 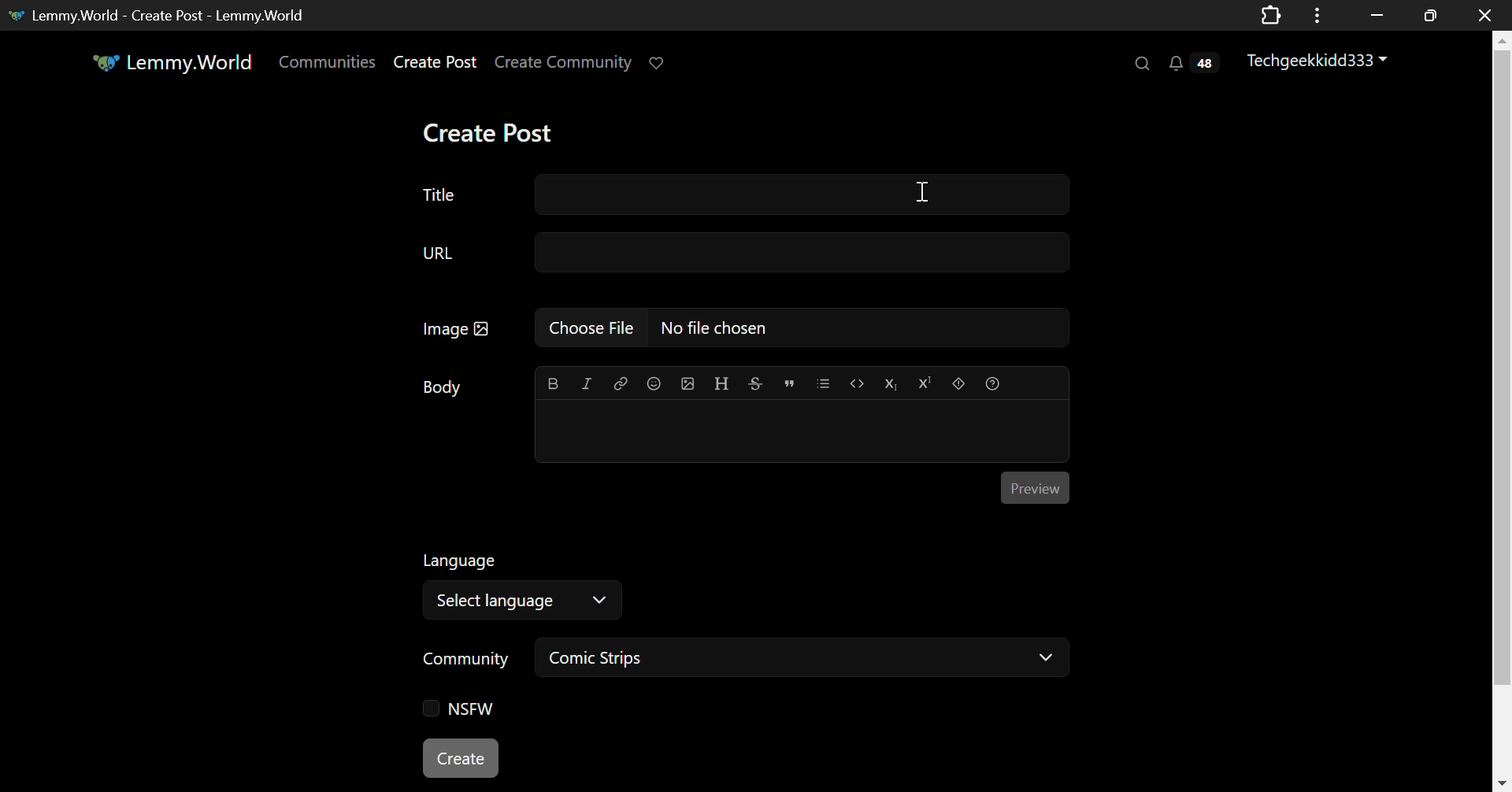 I want to click on Techgeekkidd333, so click(x=1320, y=61).